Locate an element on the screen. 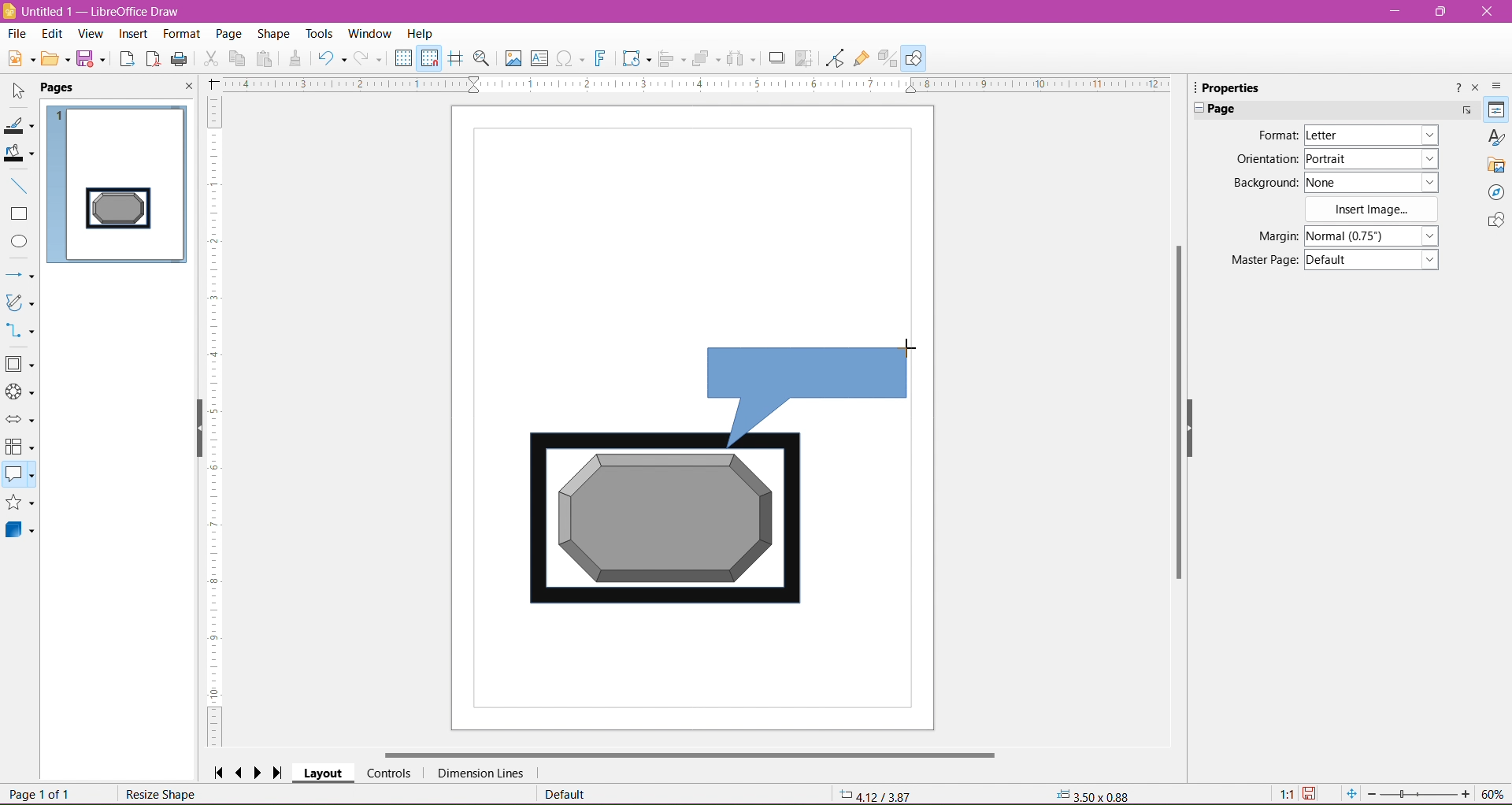  Zoom and Pan is located at coordinates (482, 59).